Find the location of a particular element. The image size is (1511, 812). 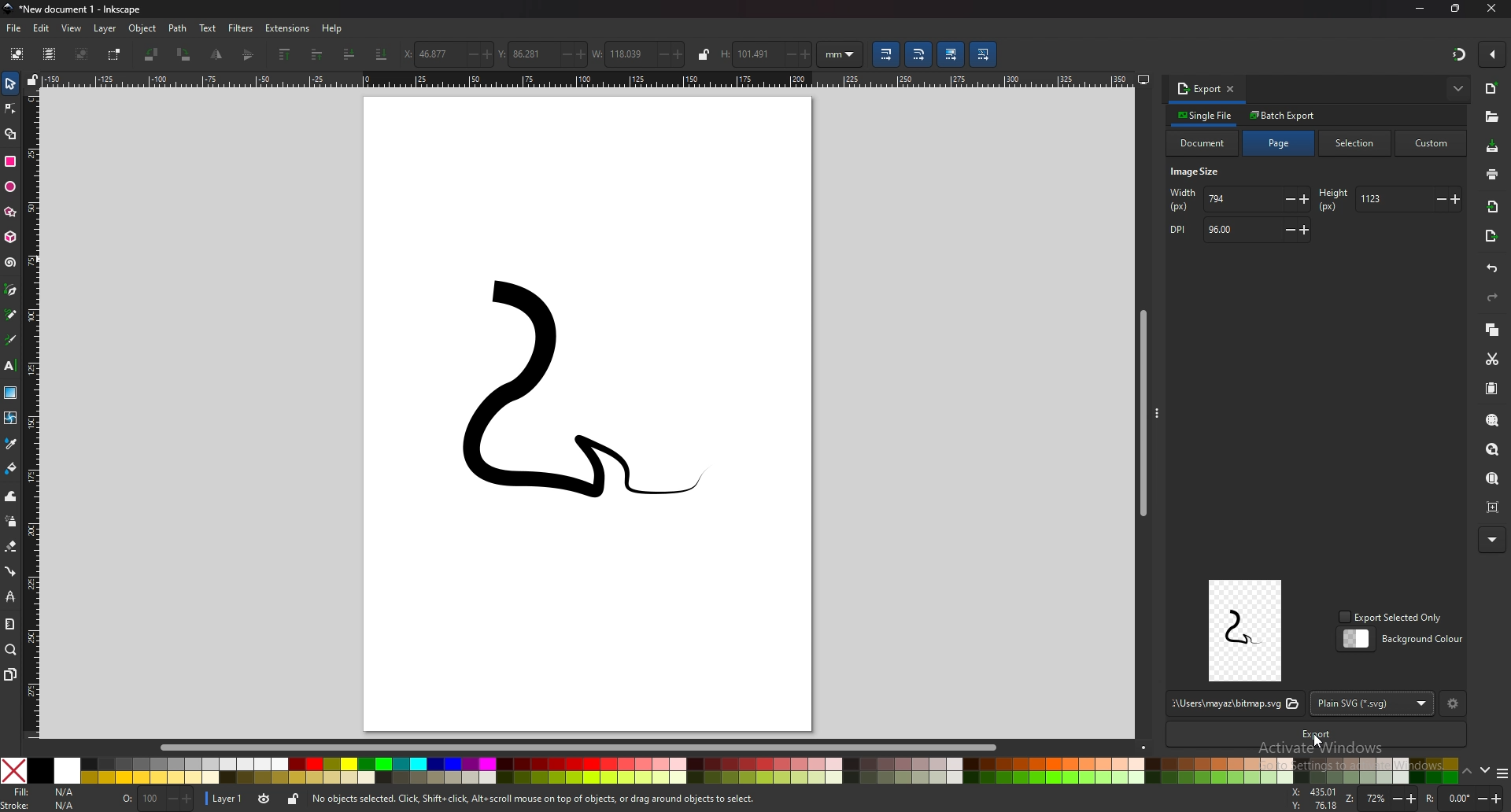

paint bucket is located at coordinates (10, 468).